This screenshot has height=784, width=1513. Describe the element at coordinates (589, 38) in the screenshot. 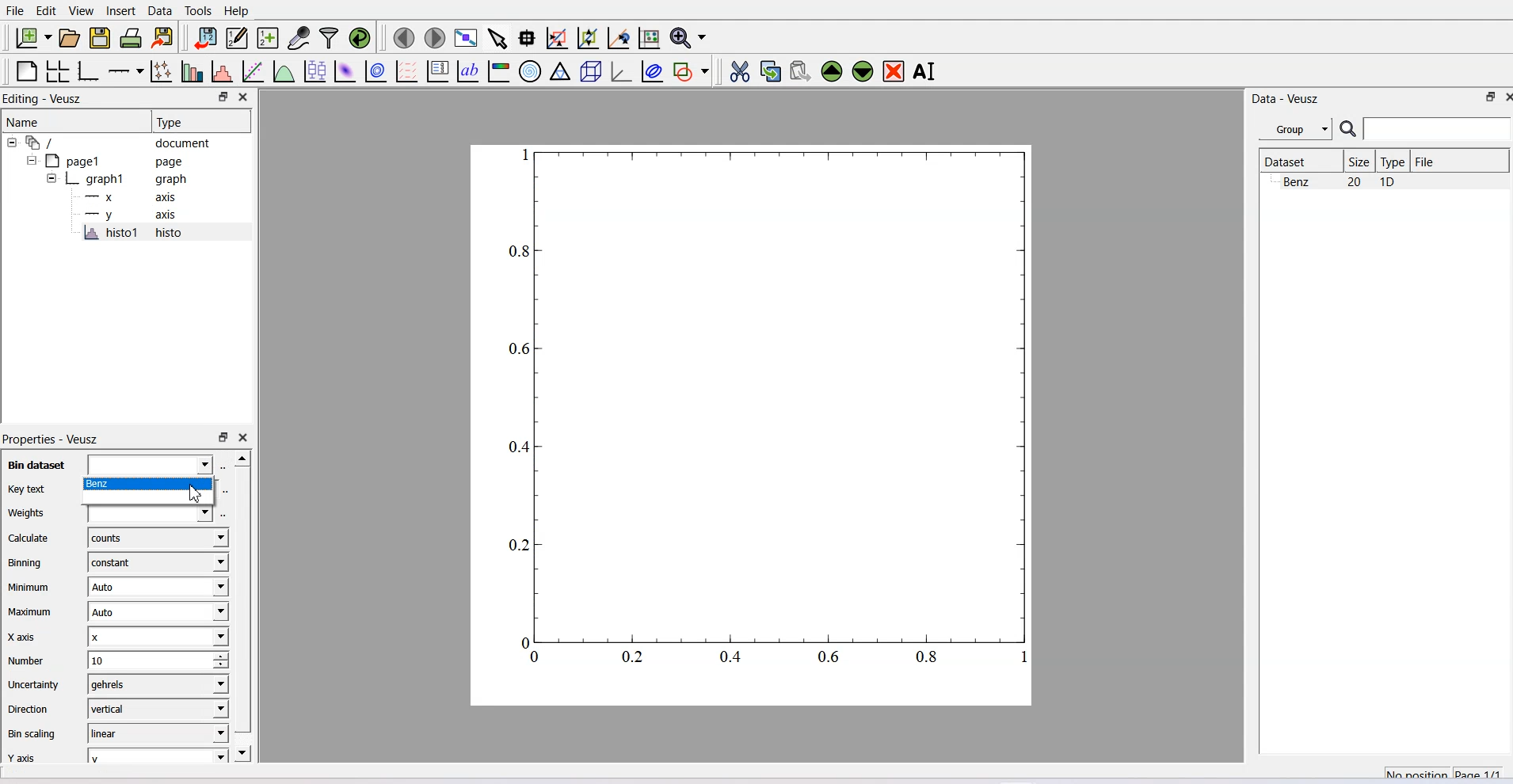

I see `Zoom out of graph axes` at that location.